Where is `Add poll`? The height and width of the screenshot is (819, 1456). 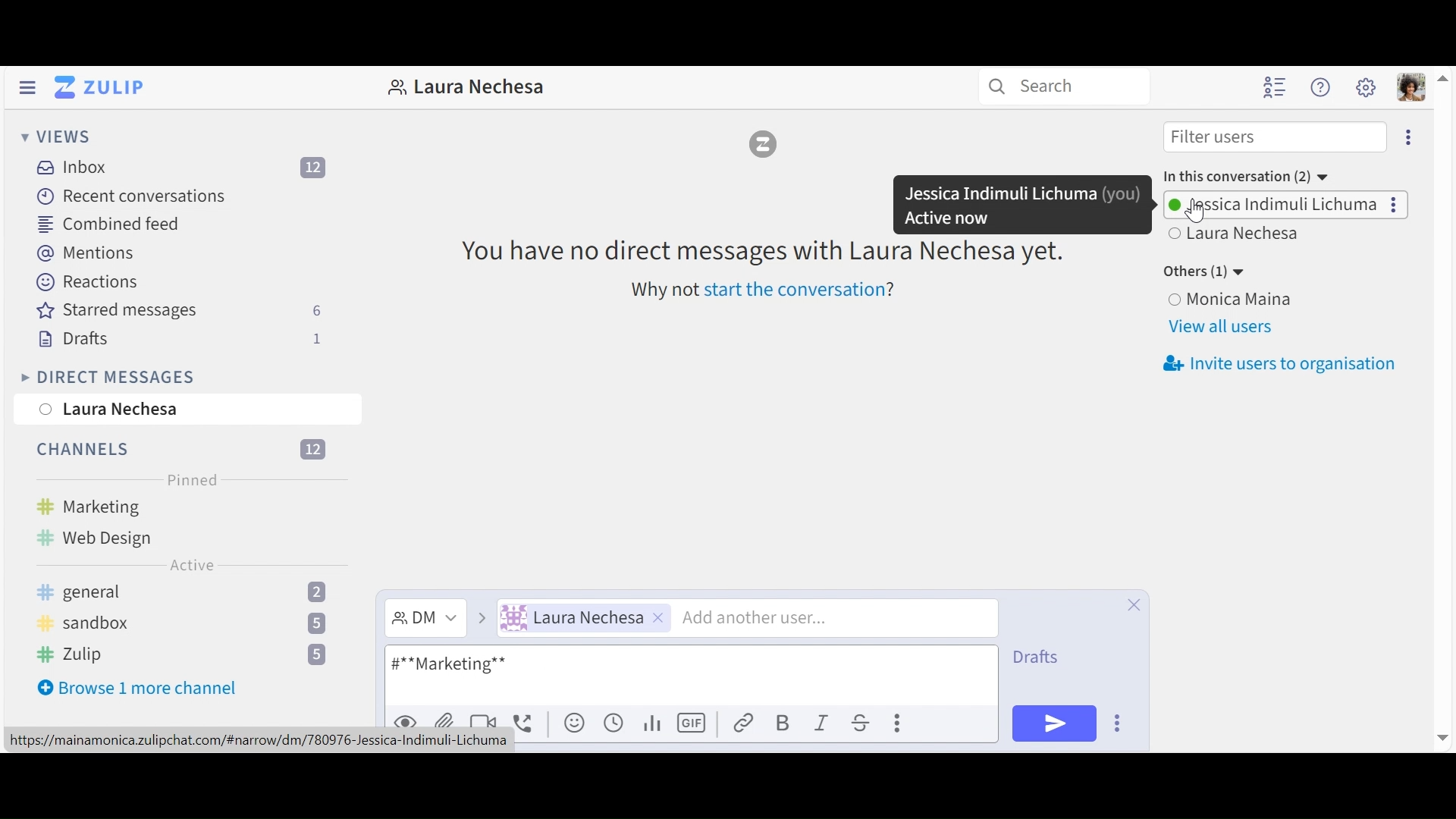
Add poll is located at coordinates (654, 725).